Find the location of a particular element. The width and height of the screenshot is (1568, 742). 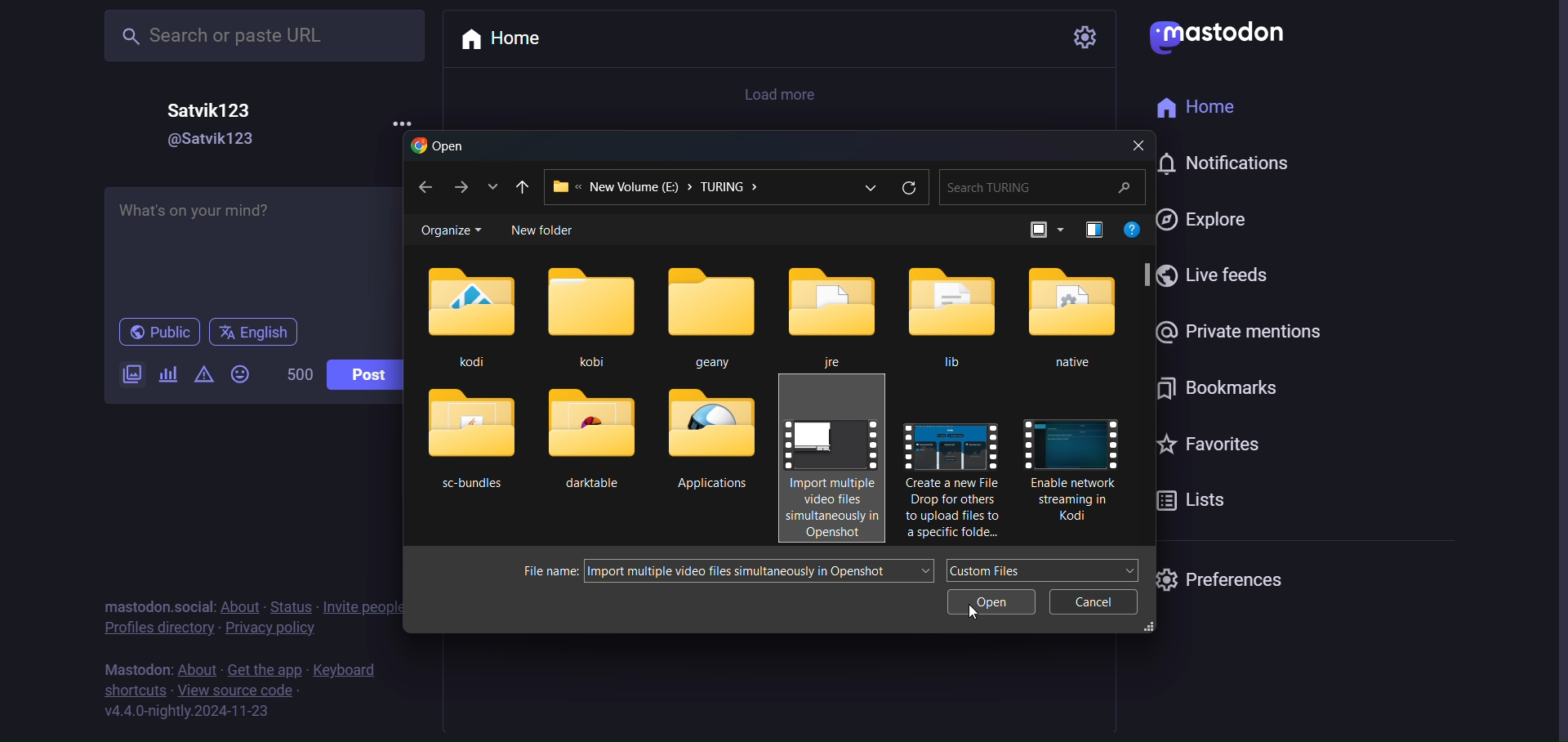

organize is located at coordinates (451, 229).